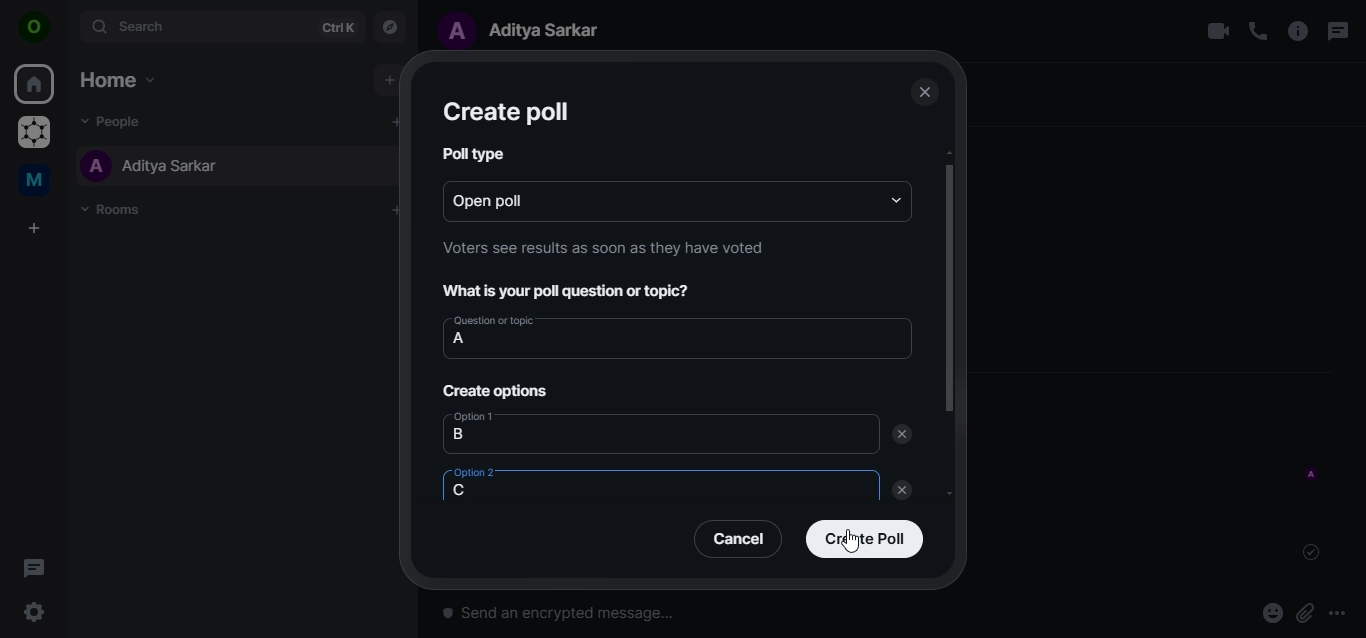  Describe the element at coordinates (391, 25) in the screenshot. I see `explore rooms` at that location.